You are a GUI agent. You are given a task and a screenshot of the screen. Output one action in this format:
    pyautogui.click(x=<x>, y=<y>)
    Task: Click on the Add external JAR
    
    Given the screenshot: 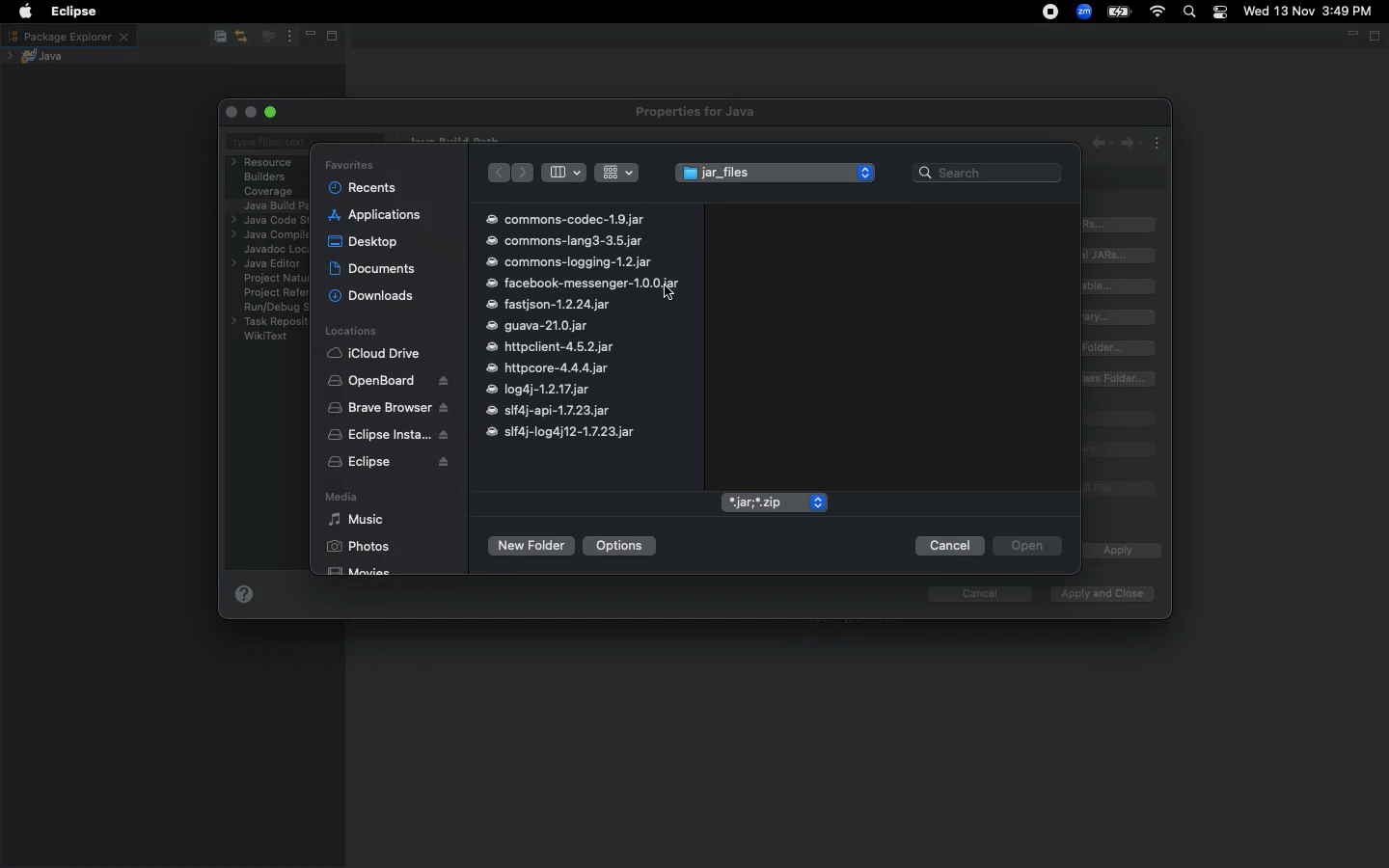 What is the action you would take?
    pyautogui.click(x=1120, y=255)
    